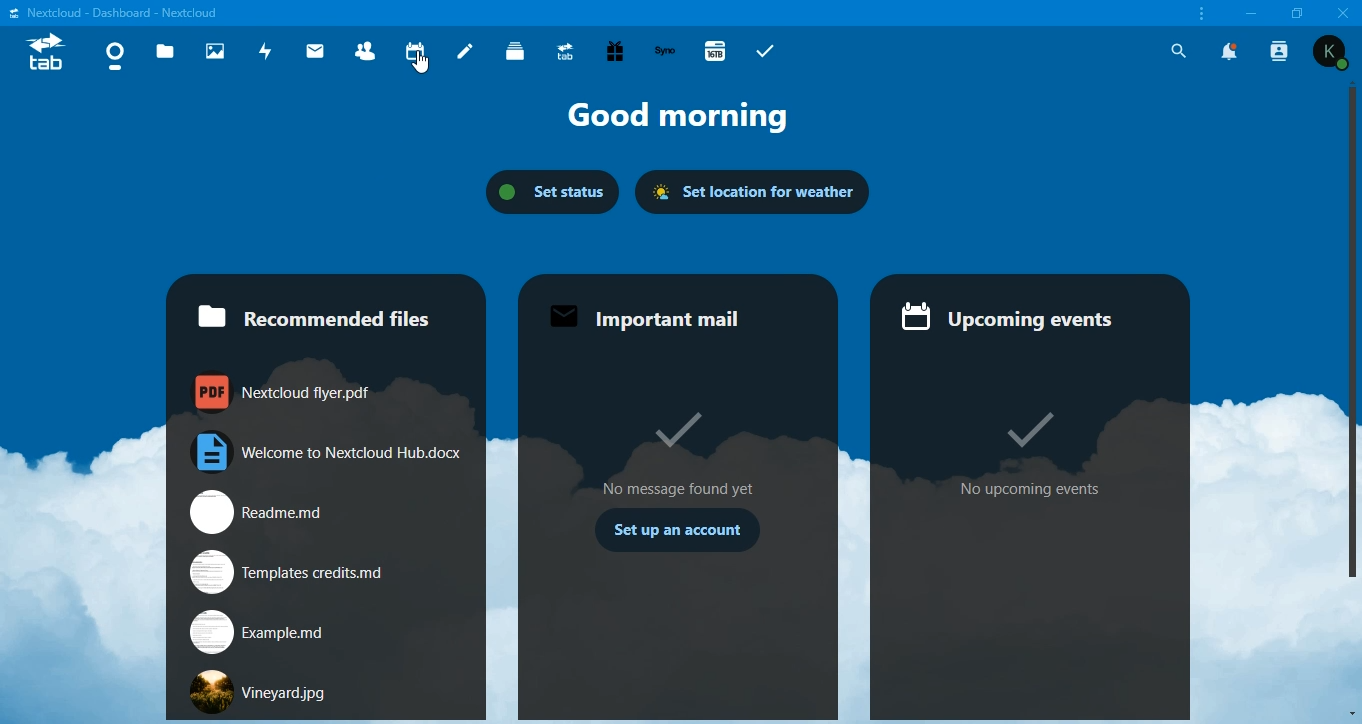  Describe the element at coordinates (306, 511) in the screenshot. I see `readme.md` at that location.